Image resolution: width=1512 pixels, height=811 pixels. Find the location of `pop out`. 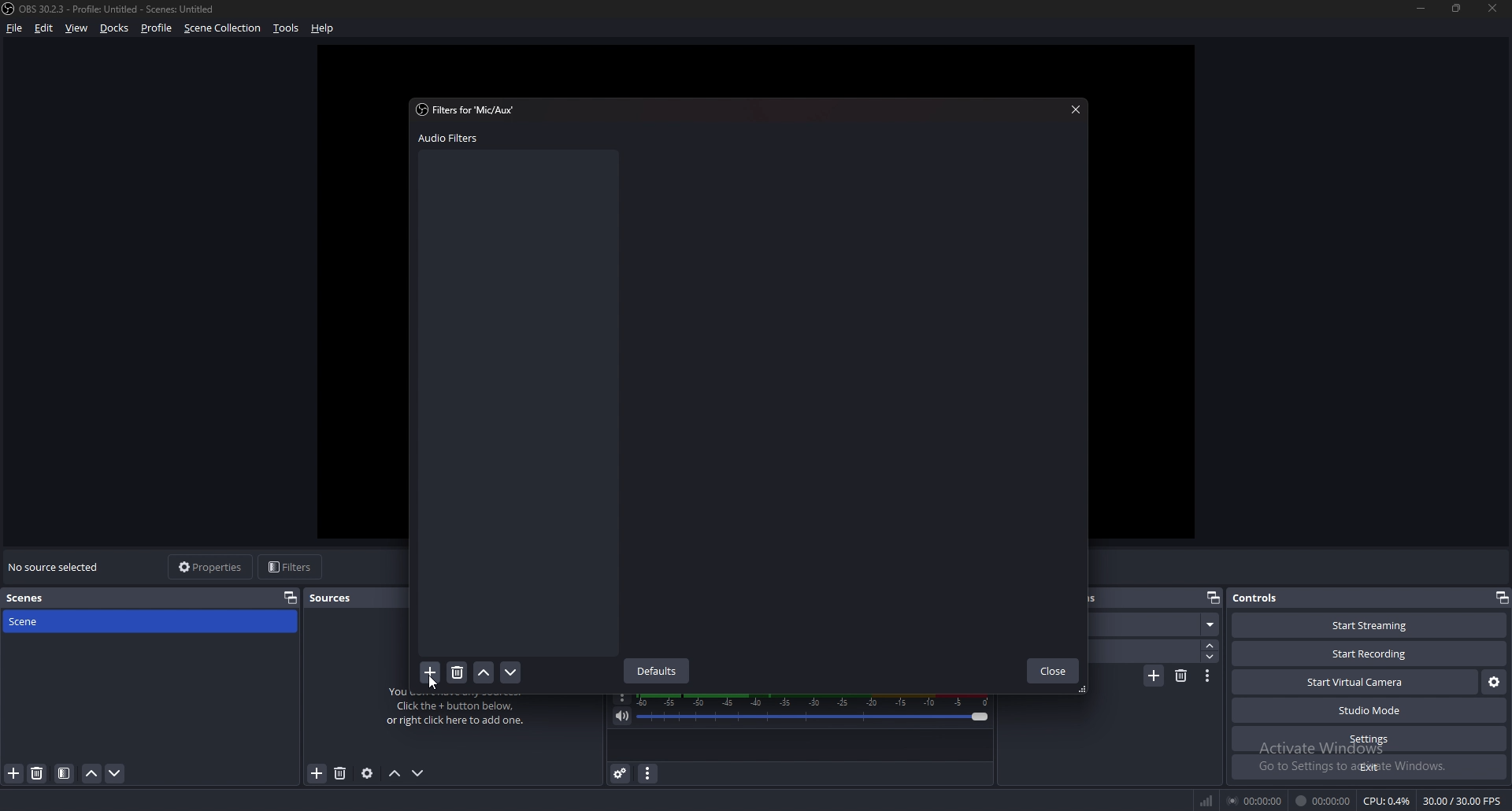

pop out is located at coordinates (1212, 598).